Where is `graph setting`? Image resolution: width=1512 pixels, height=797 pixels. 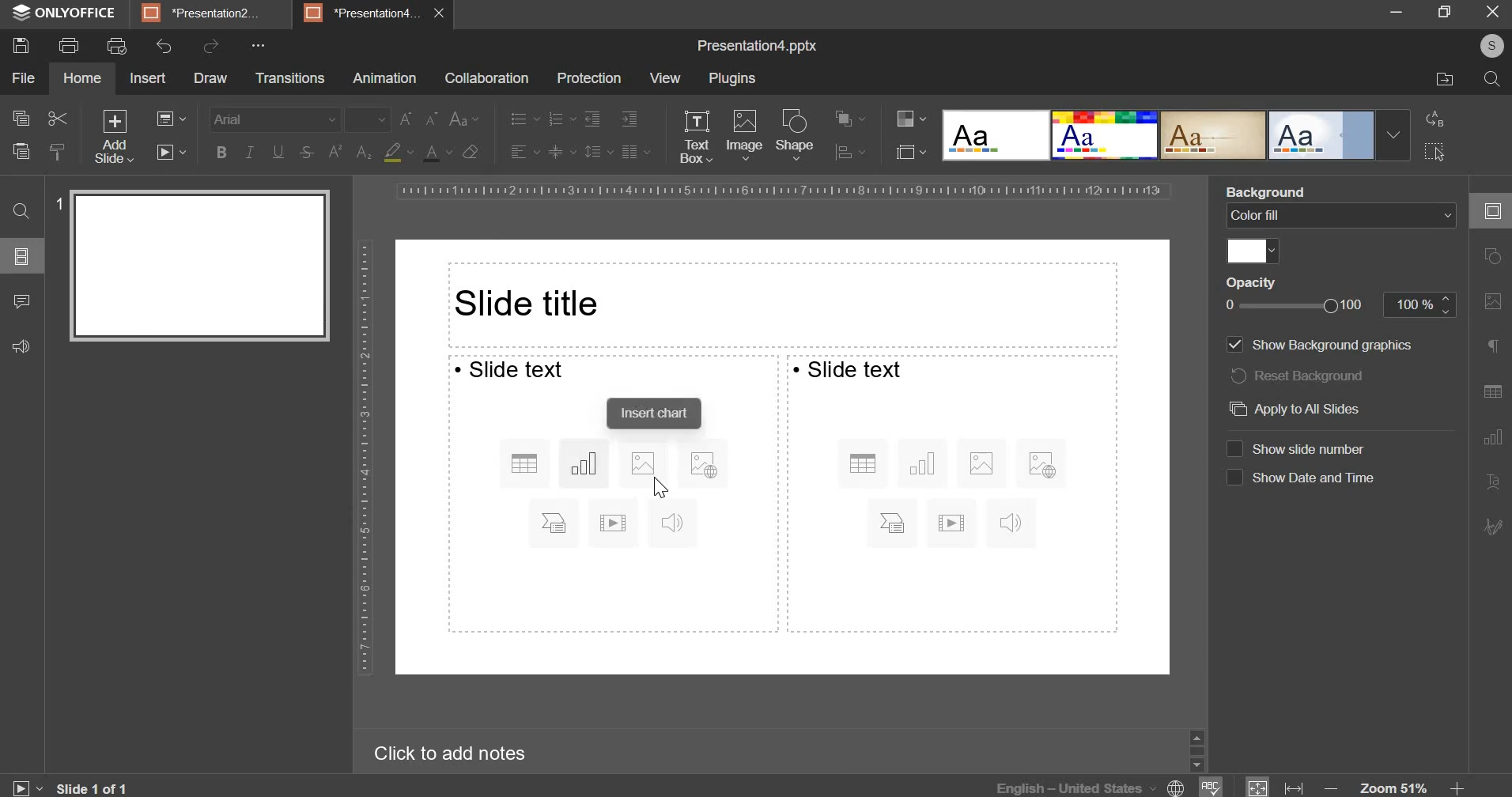 graph setting is located at coordinates (1491, 436).